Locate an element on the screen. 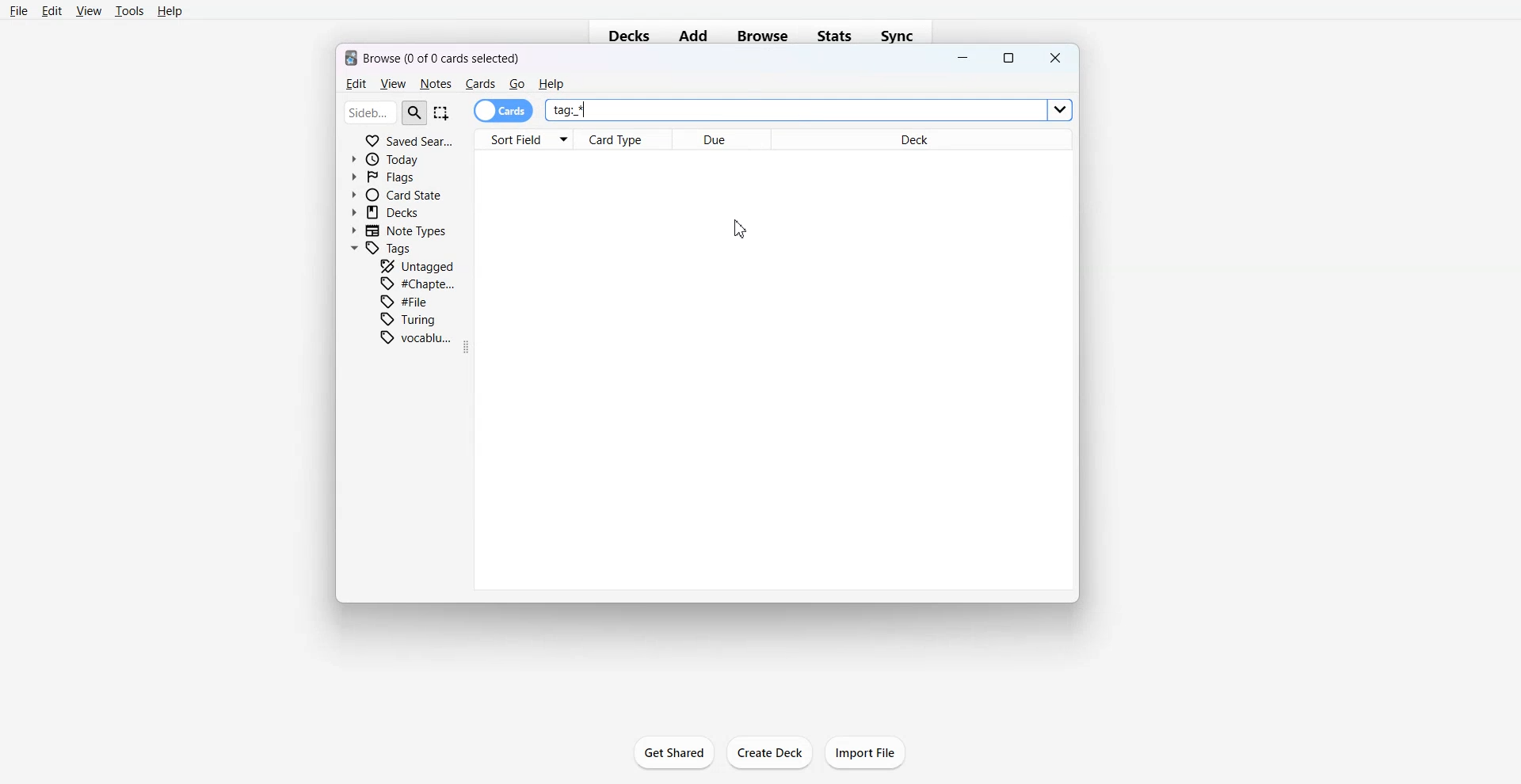 Image resolution: width=1521 pixels, height=784 pixels. Note Types is located at coordinates (400, 230).